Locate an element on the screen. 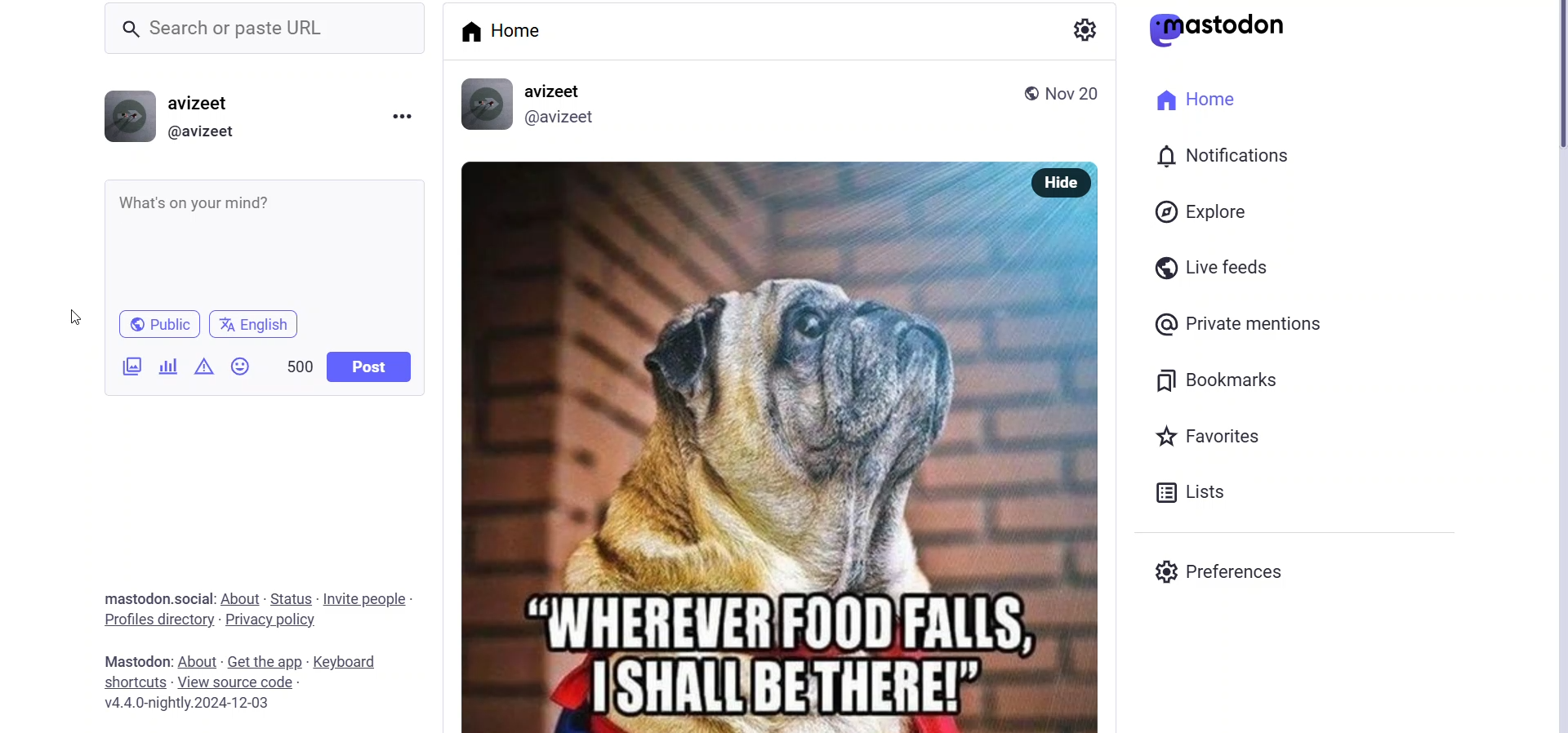  content warning is located at coordinates (206, 366).